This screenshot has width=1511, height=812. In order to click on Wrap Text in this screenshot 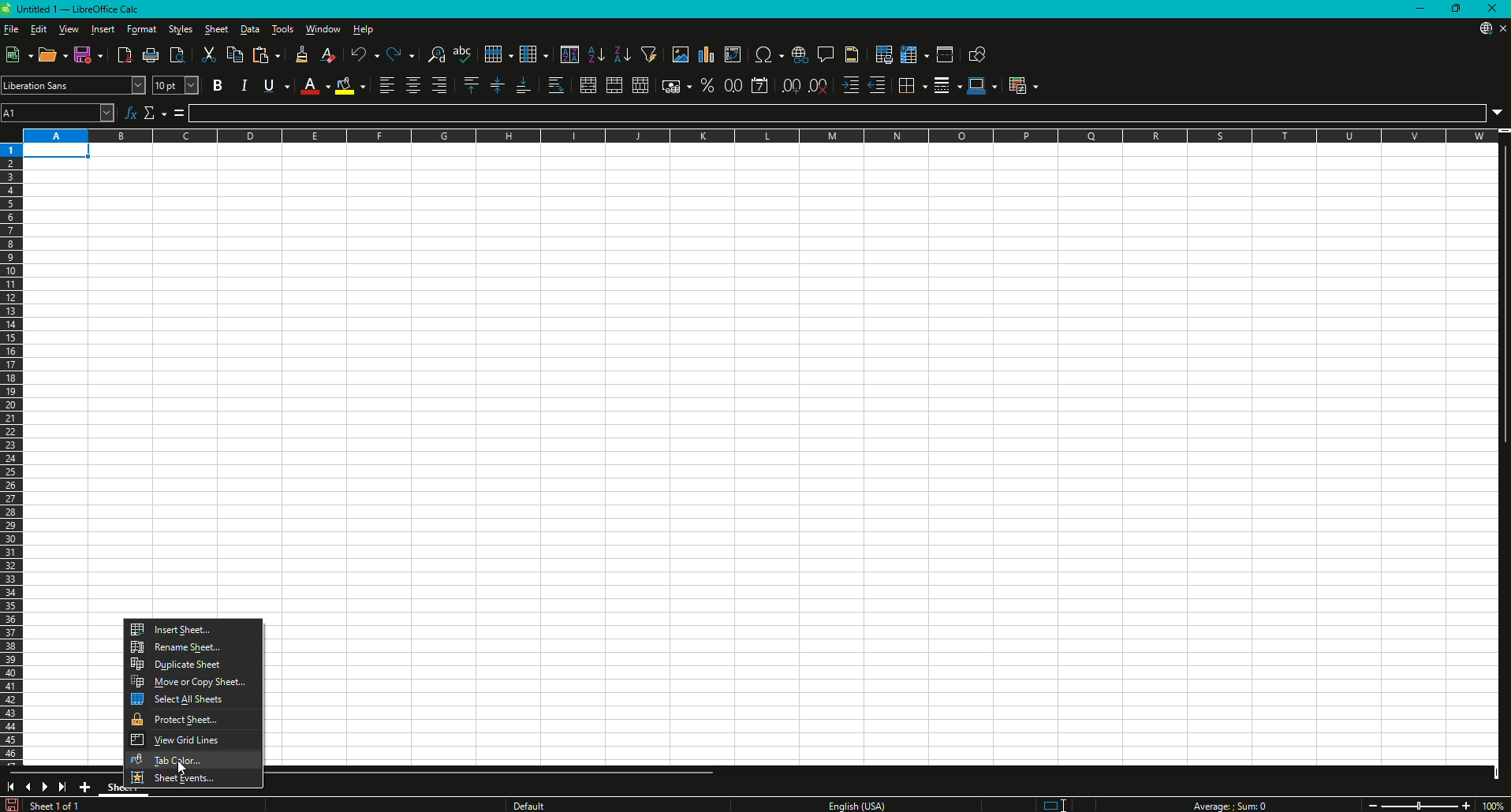, I will do `click(556, 85)`.